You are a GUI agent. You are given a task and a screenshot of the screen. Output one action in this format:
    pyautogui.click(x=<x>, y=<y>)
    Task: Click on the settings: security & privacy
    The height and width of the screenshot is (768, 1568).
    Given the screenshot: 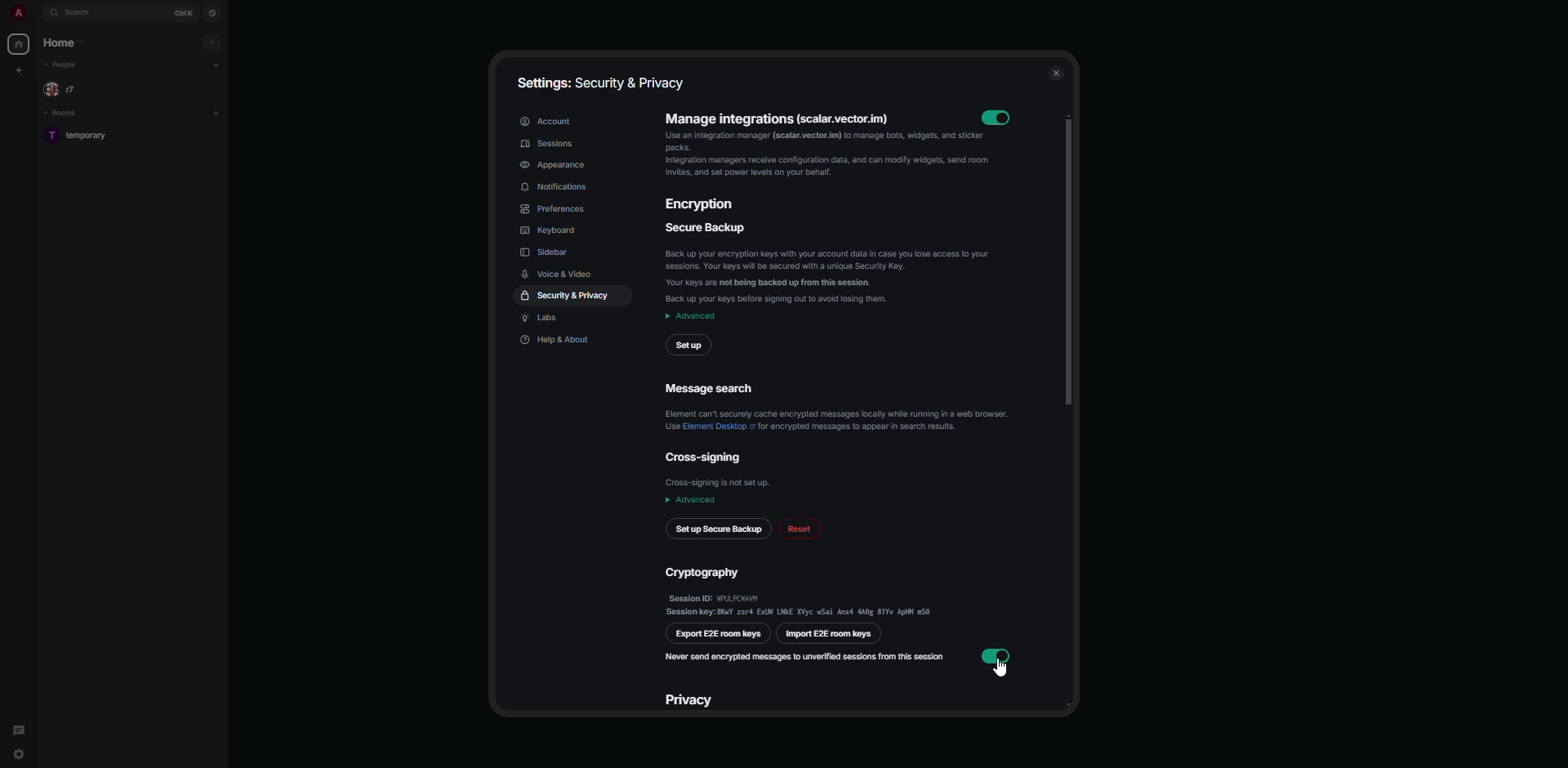 What is the action you would take?
    pyautogui.click(x=605, y=87)
    